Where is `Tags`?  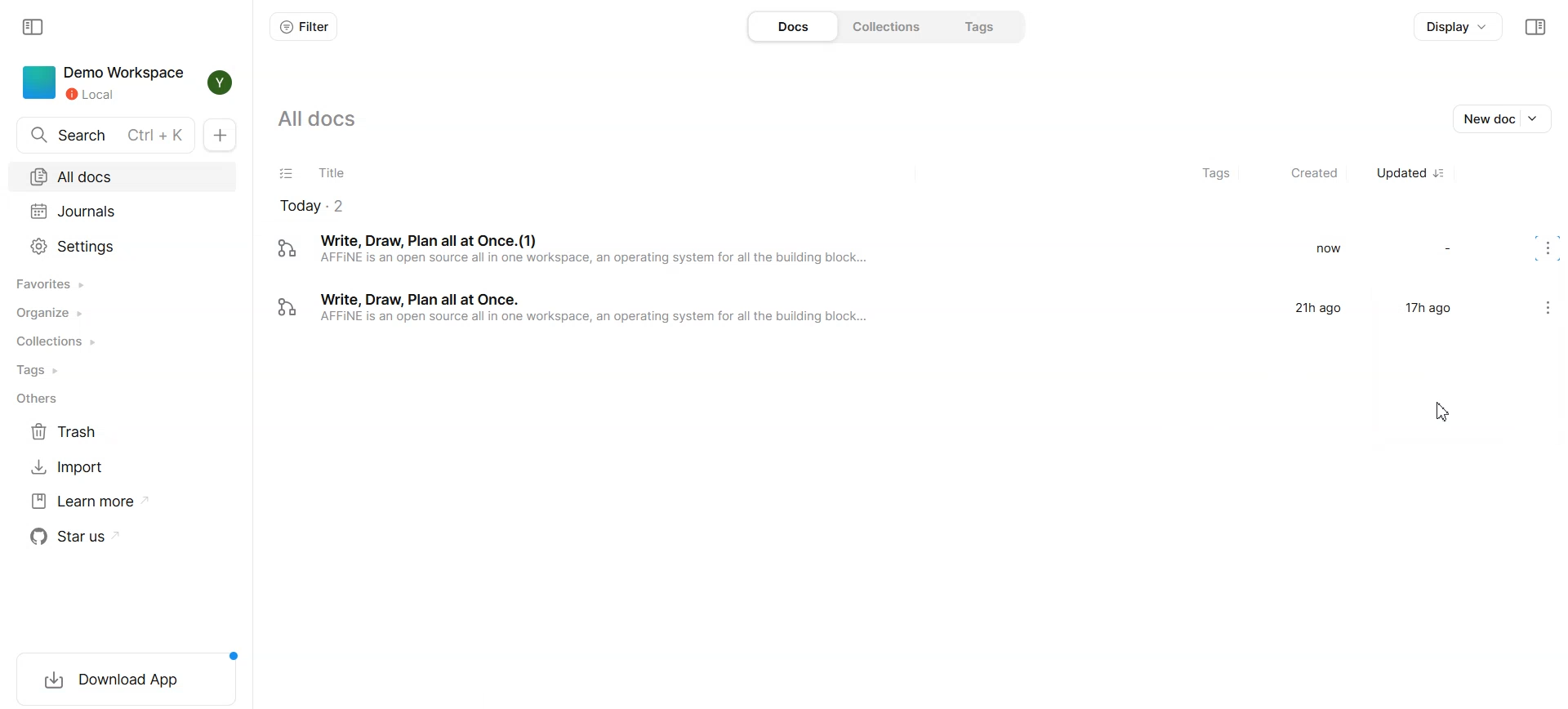
Tags is located at coordinates (123, 371).